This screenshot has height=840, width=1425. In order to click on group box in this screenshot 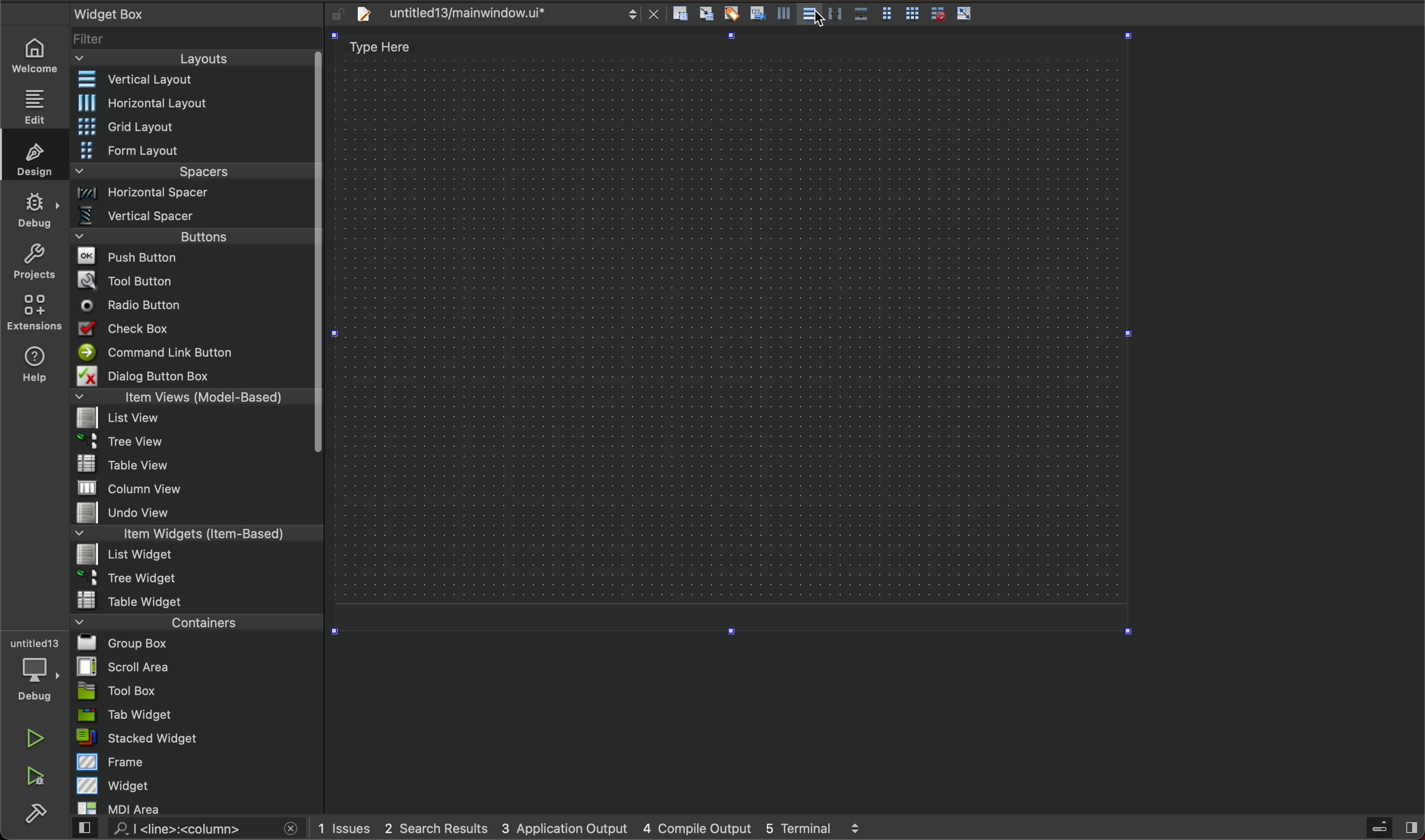, I will do `click(199, 644)`.